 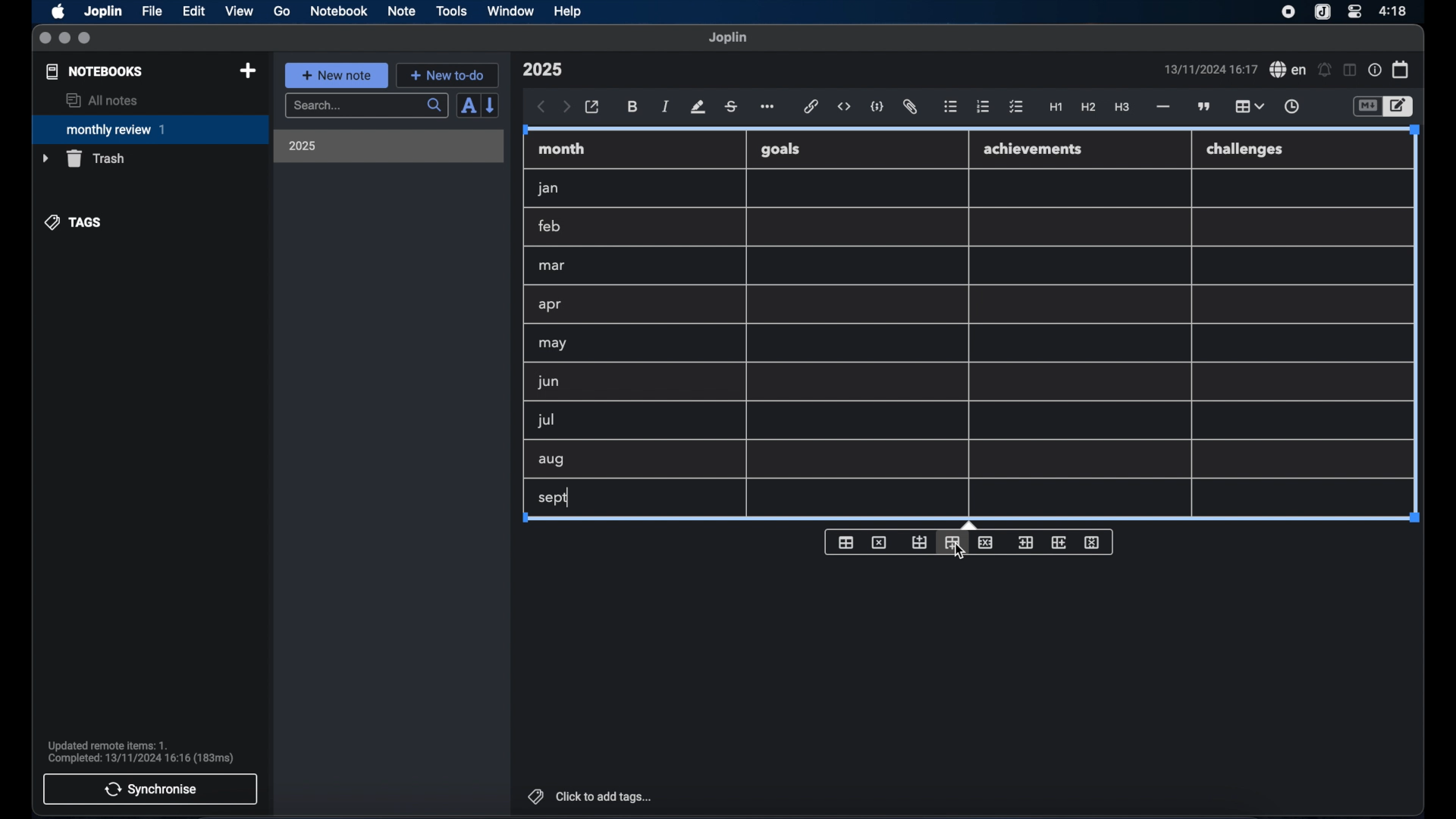 What do you see at coordinates (1401, 69) in the screenshot?
I see `calendar` at bounding box center [1401, 69].